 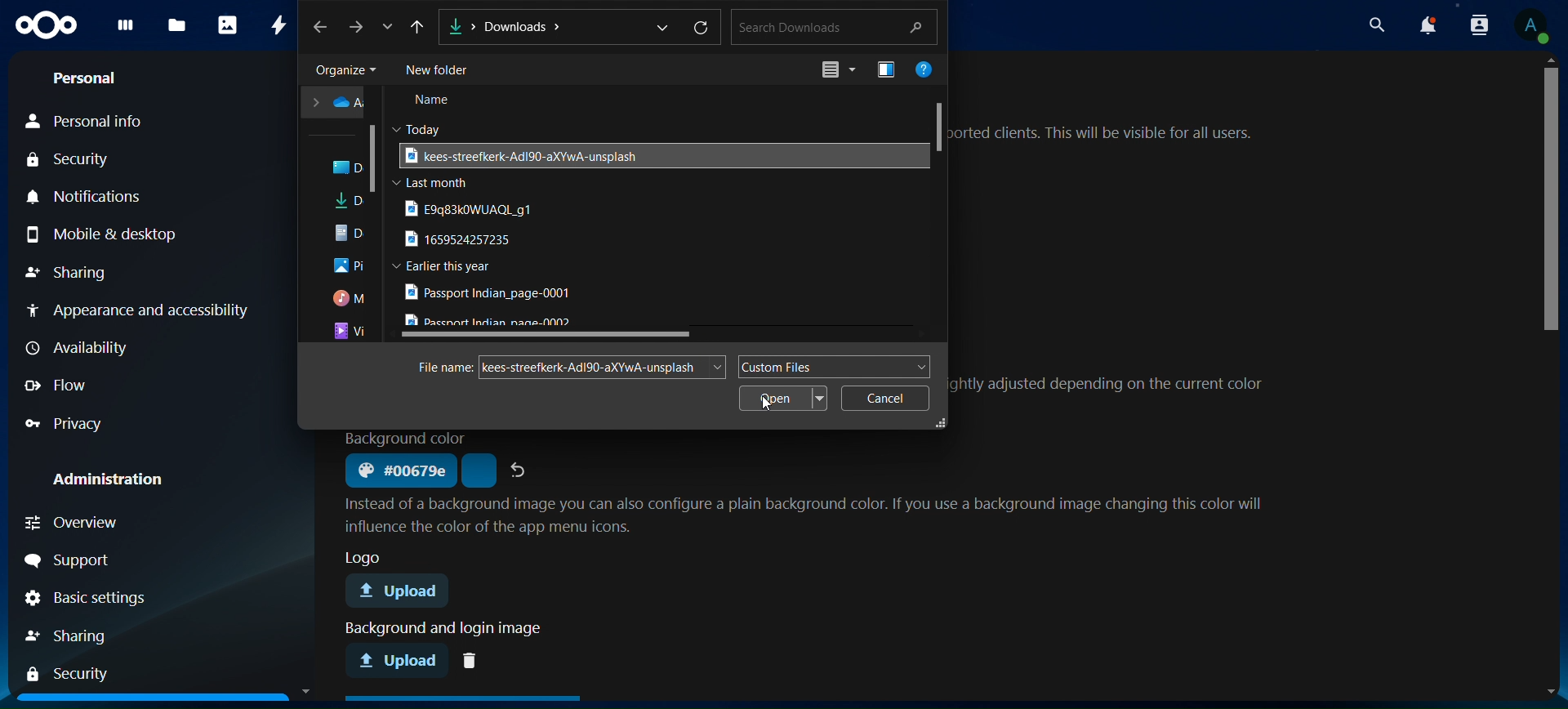 I want to click on folder, so click(x=336, y=103).